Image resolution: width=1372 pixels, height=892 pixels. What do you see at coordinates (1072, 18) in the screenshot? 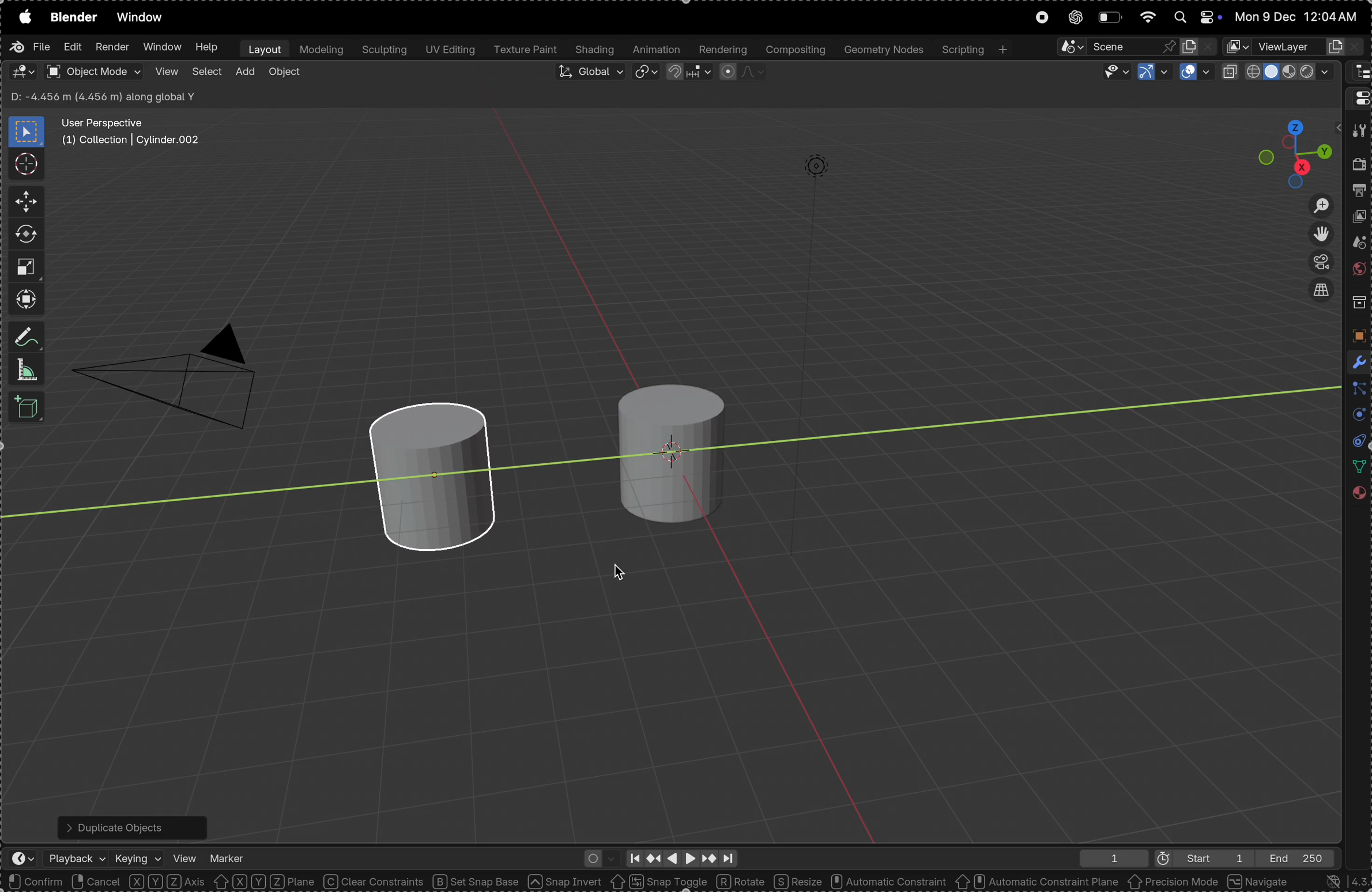
I see `chatgpt` at bounding box center [1072, 18].